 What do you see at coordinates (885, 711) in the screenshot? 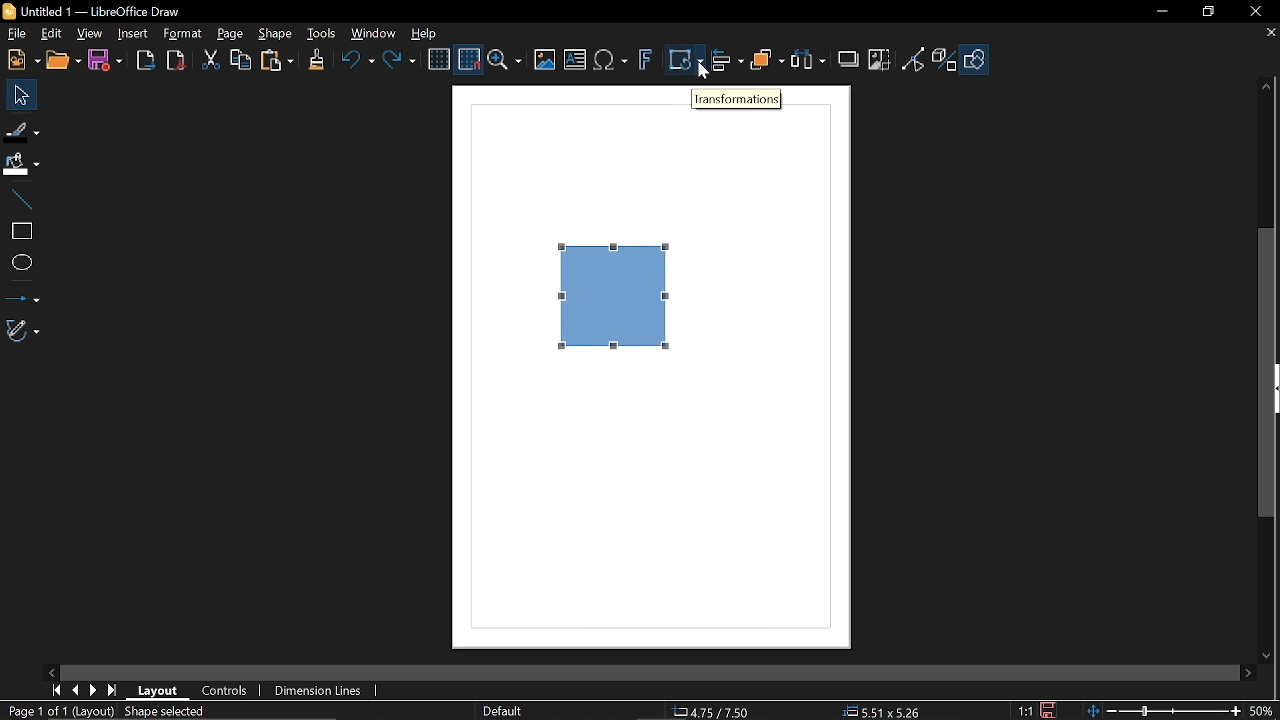
I see `5.51x5.26 (object size )` at bounding box center [885, 711].